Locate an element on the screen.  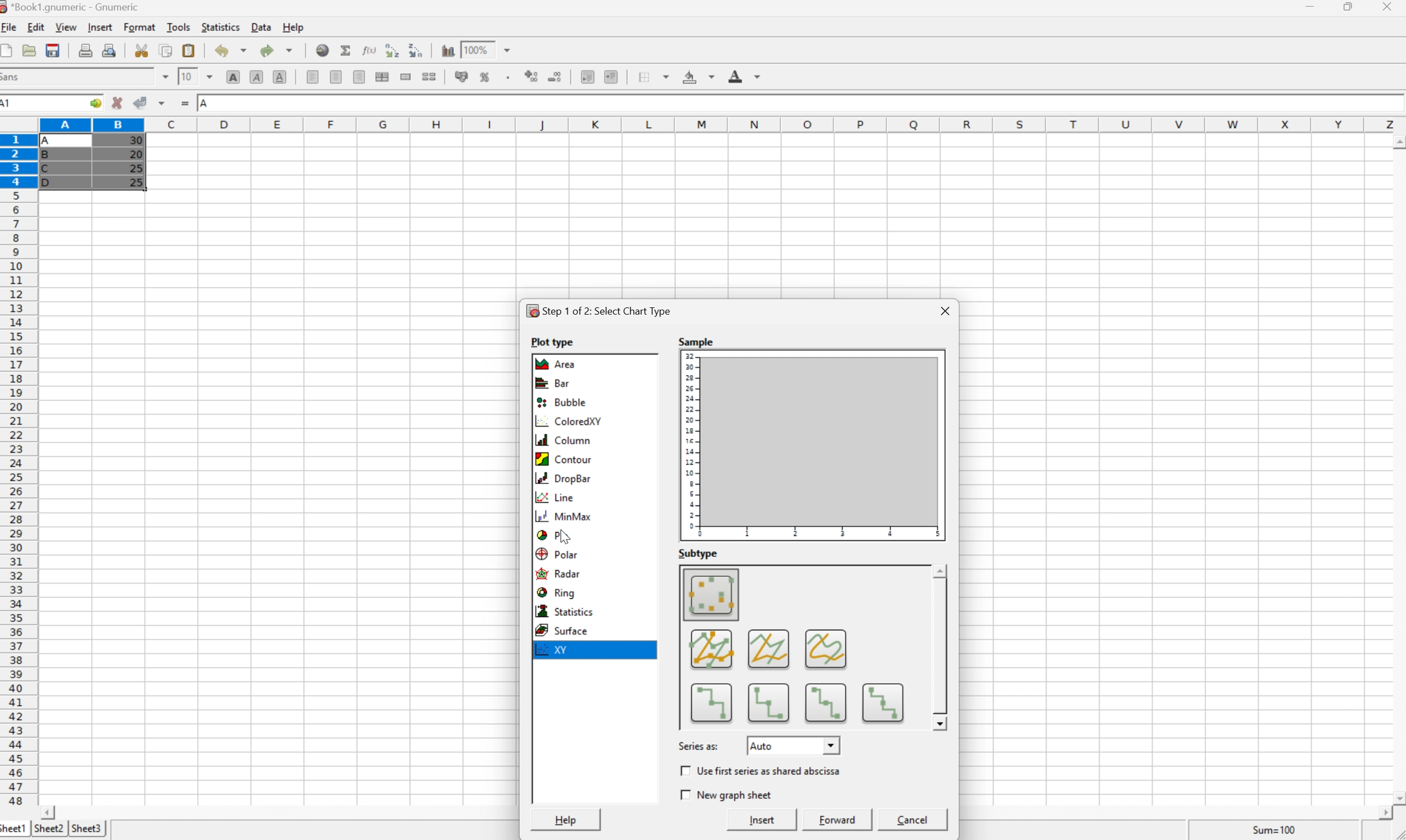
Sans is located at coordinates (12, 76).